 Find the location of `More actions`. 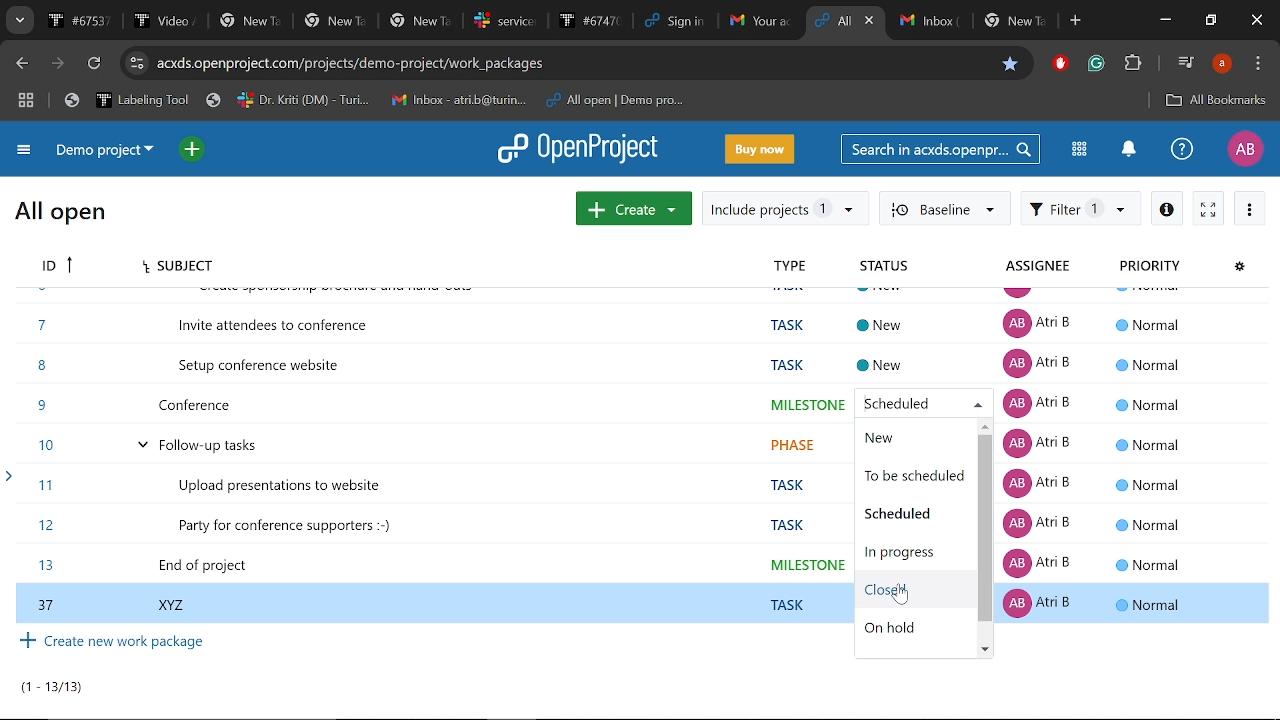

More actions is located at coordinates (1252, 208).